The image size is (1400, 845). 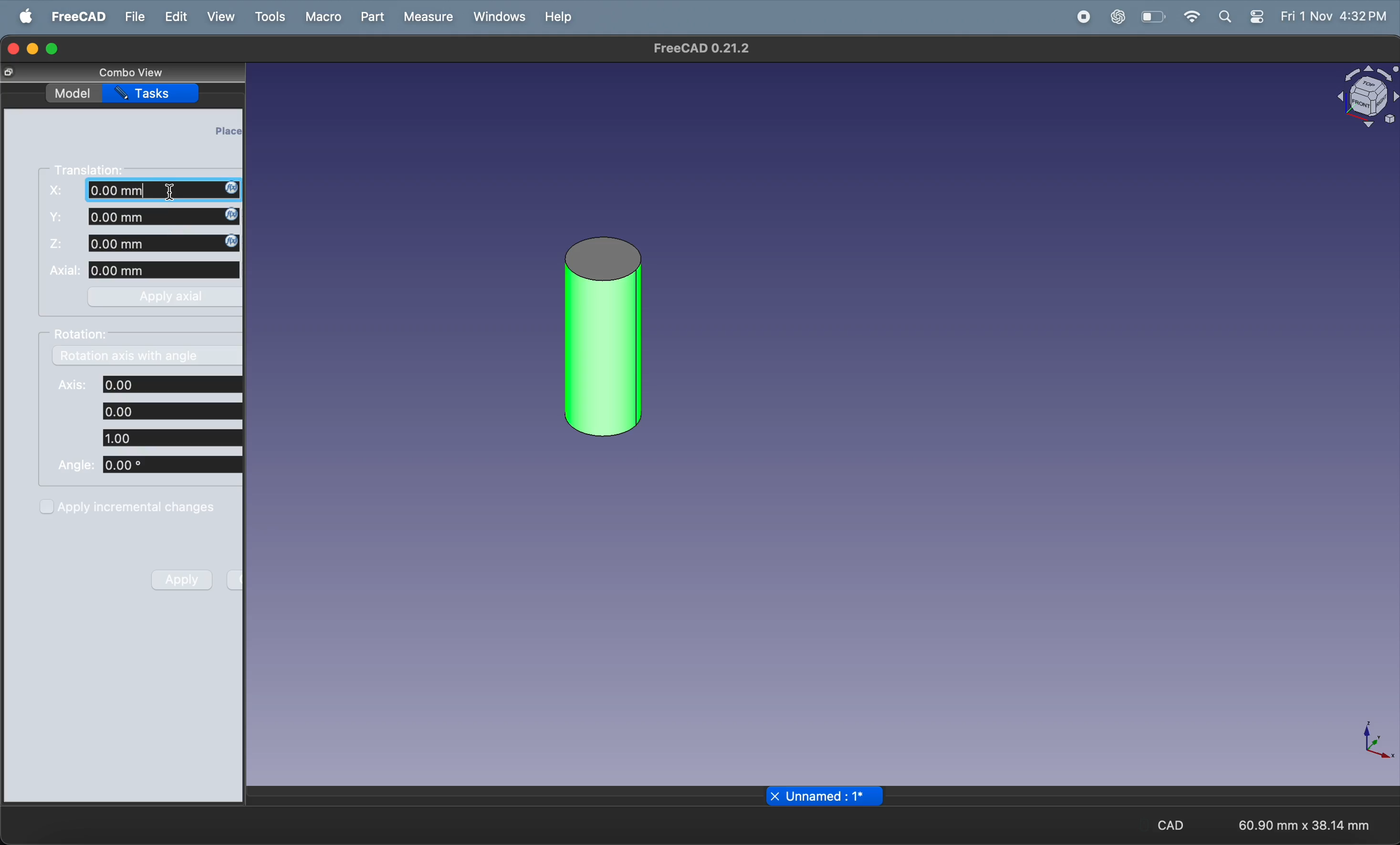 I want to click on file, so click(x=132, y=17).